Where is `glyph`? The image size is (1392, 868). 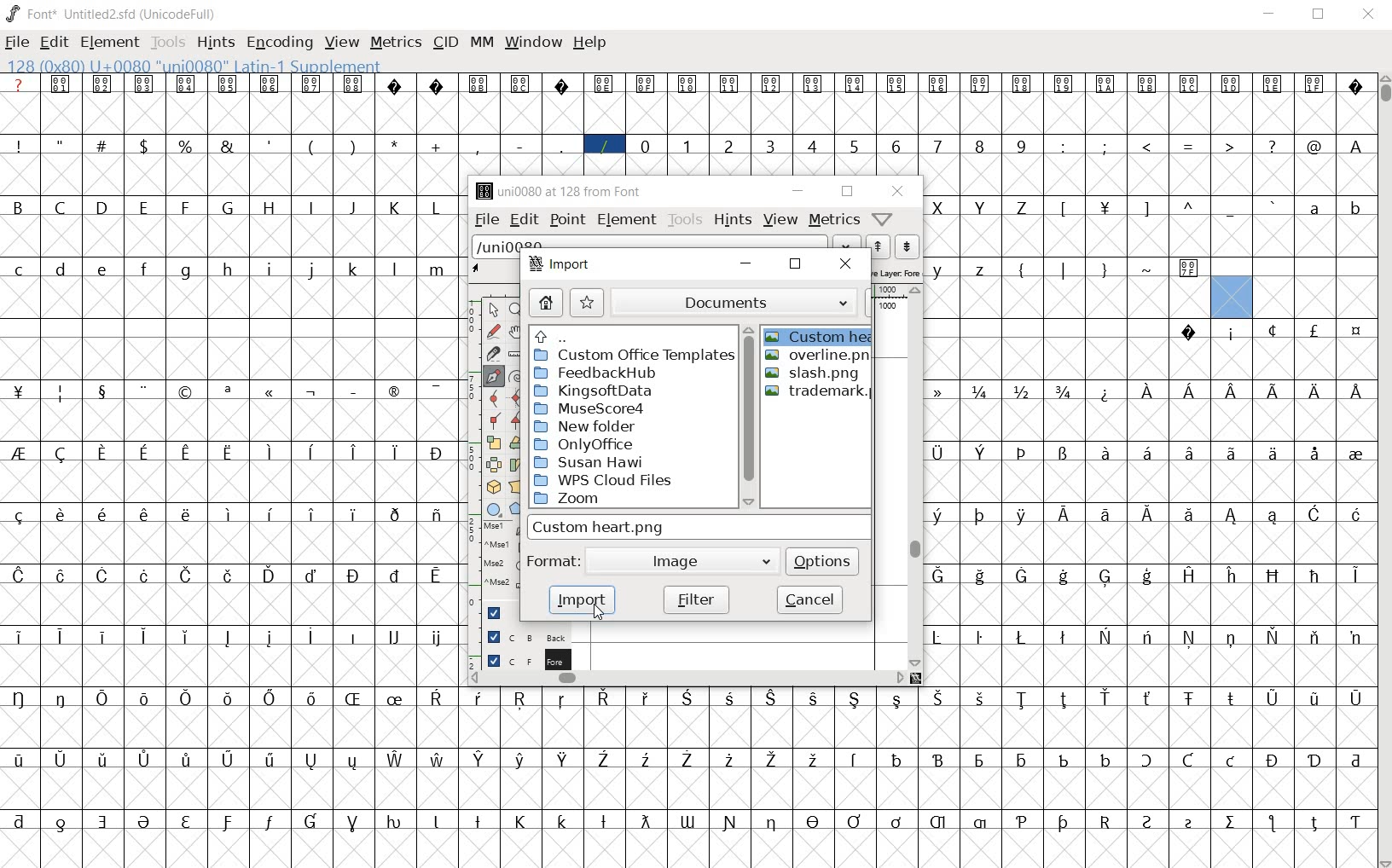
glyph is located at coordinates (228, 759).